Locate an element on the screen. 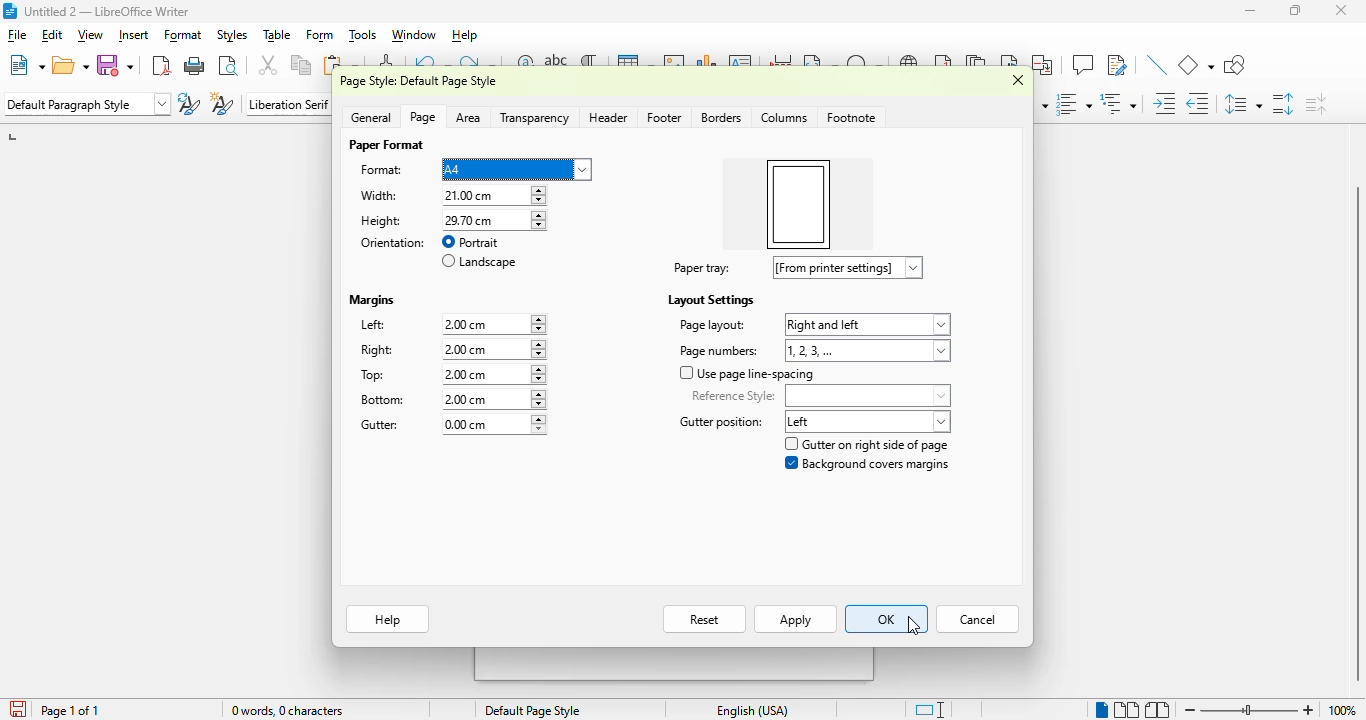 This screenshot has height=720, width=1366. footnote is located at coordinates (852, 117).